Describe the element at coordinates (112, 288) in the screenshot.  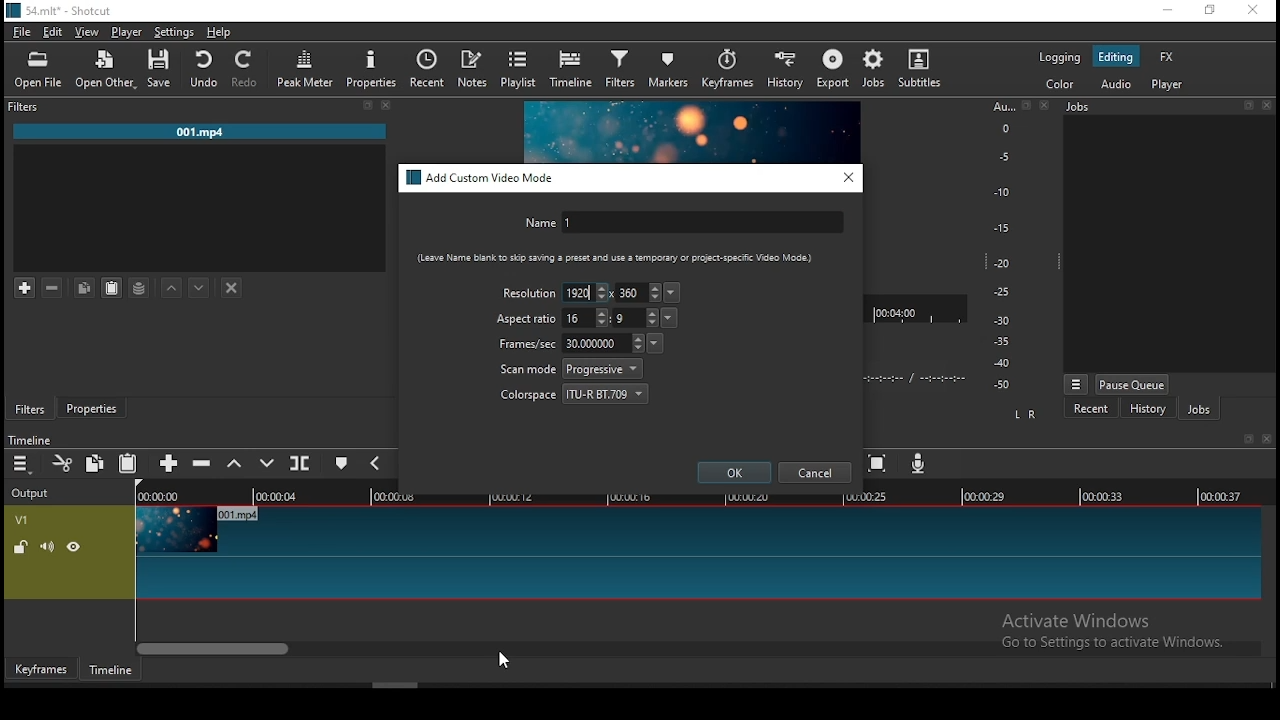
I see `paste` at that location.